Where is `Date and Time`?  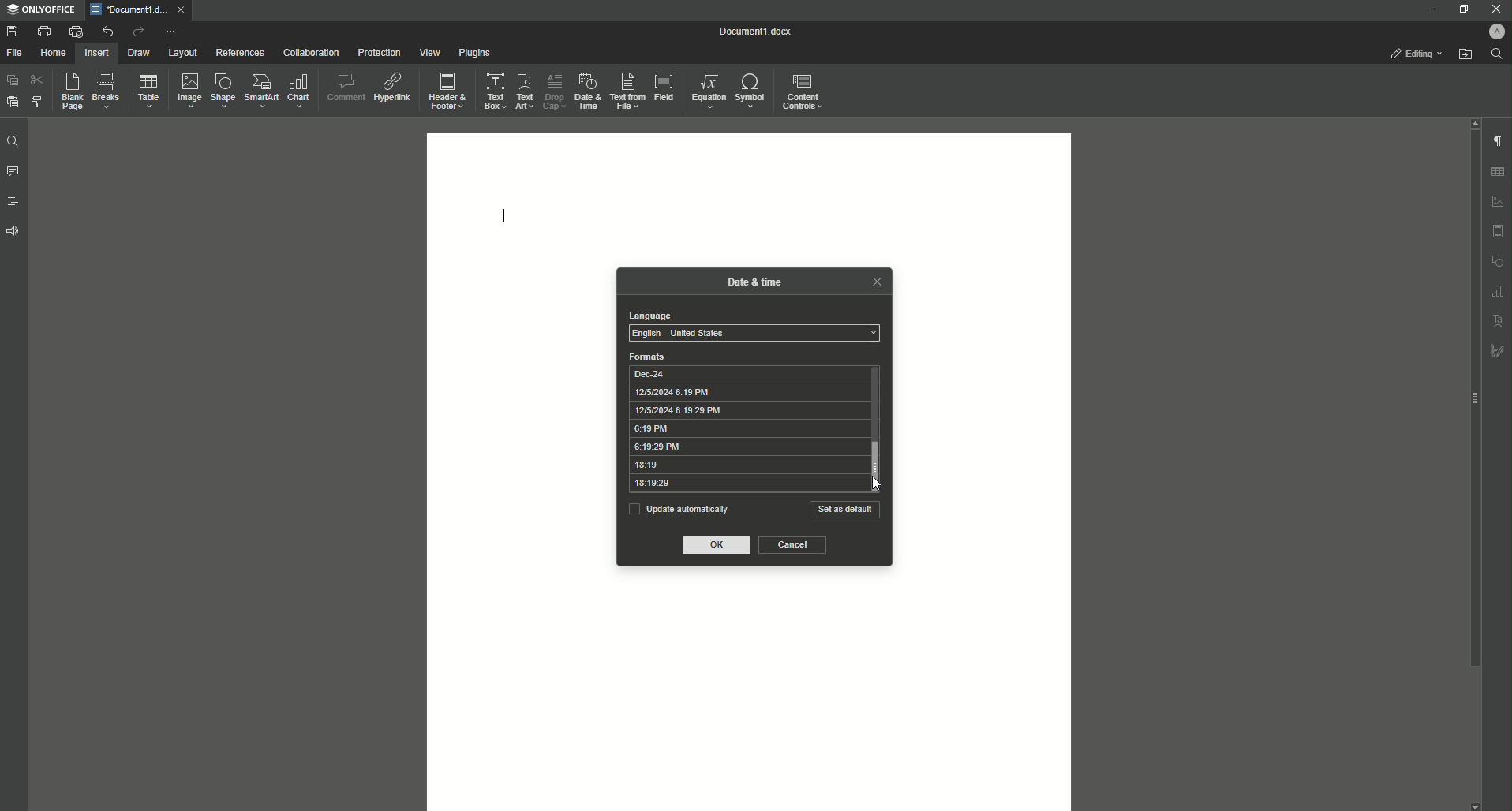 Date and Time is located at coordinates (586, 90).